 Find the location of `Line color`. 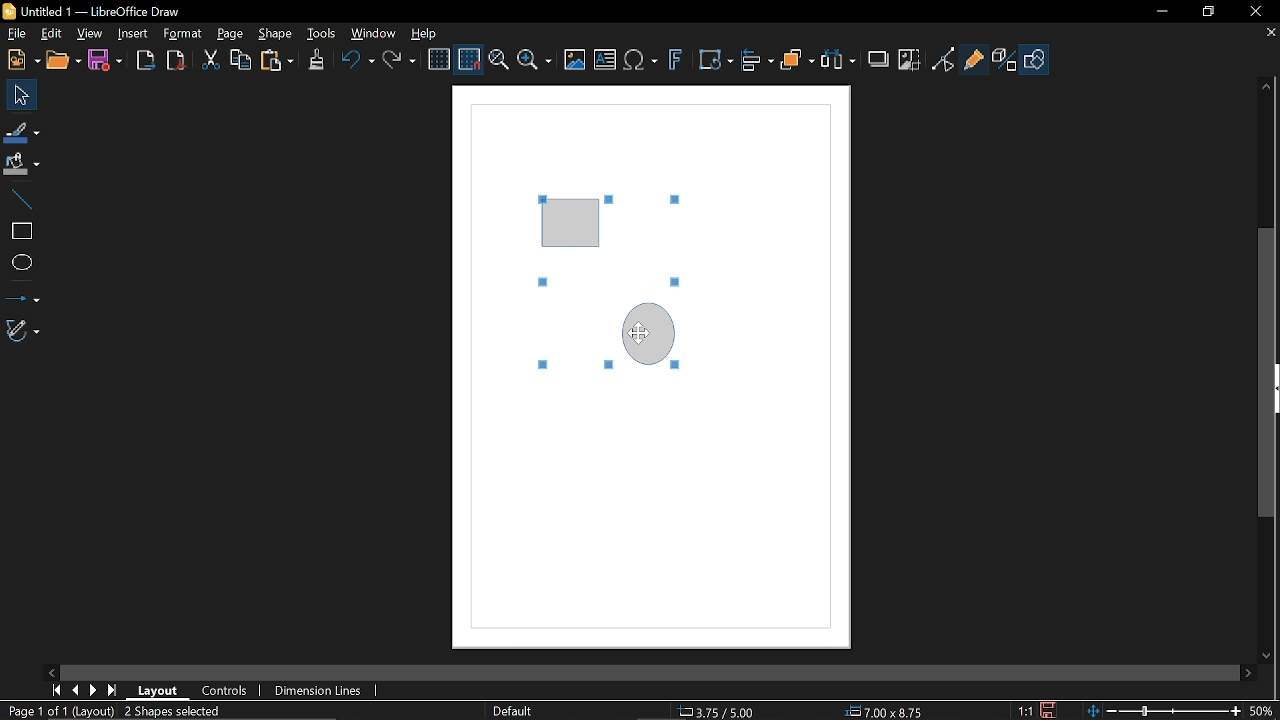

Line color is located at coordinates (22, 129).